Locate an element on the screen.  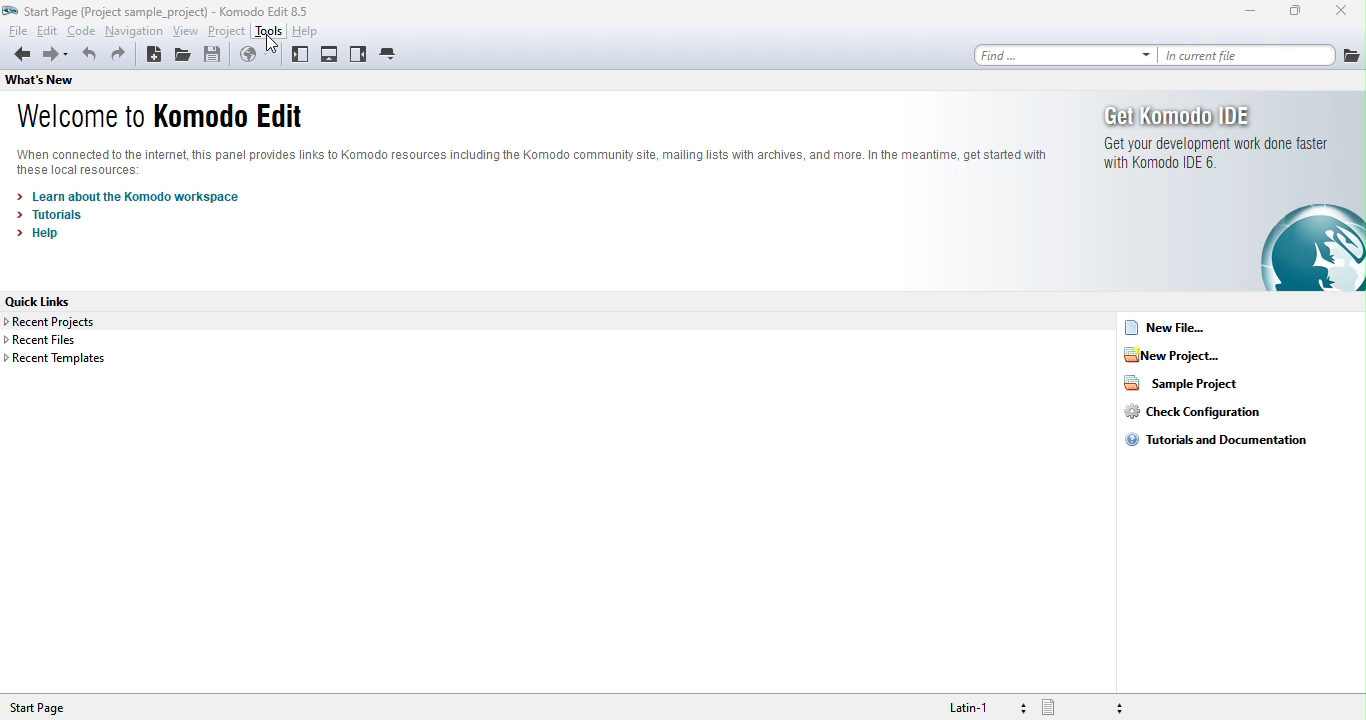
start page is located at coordinates (47, 708).